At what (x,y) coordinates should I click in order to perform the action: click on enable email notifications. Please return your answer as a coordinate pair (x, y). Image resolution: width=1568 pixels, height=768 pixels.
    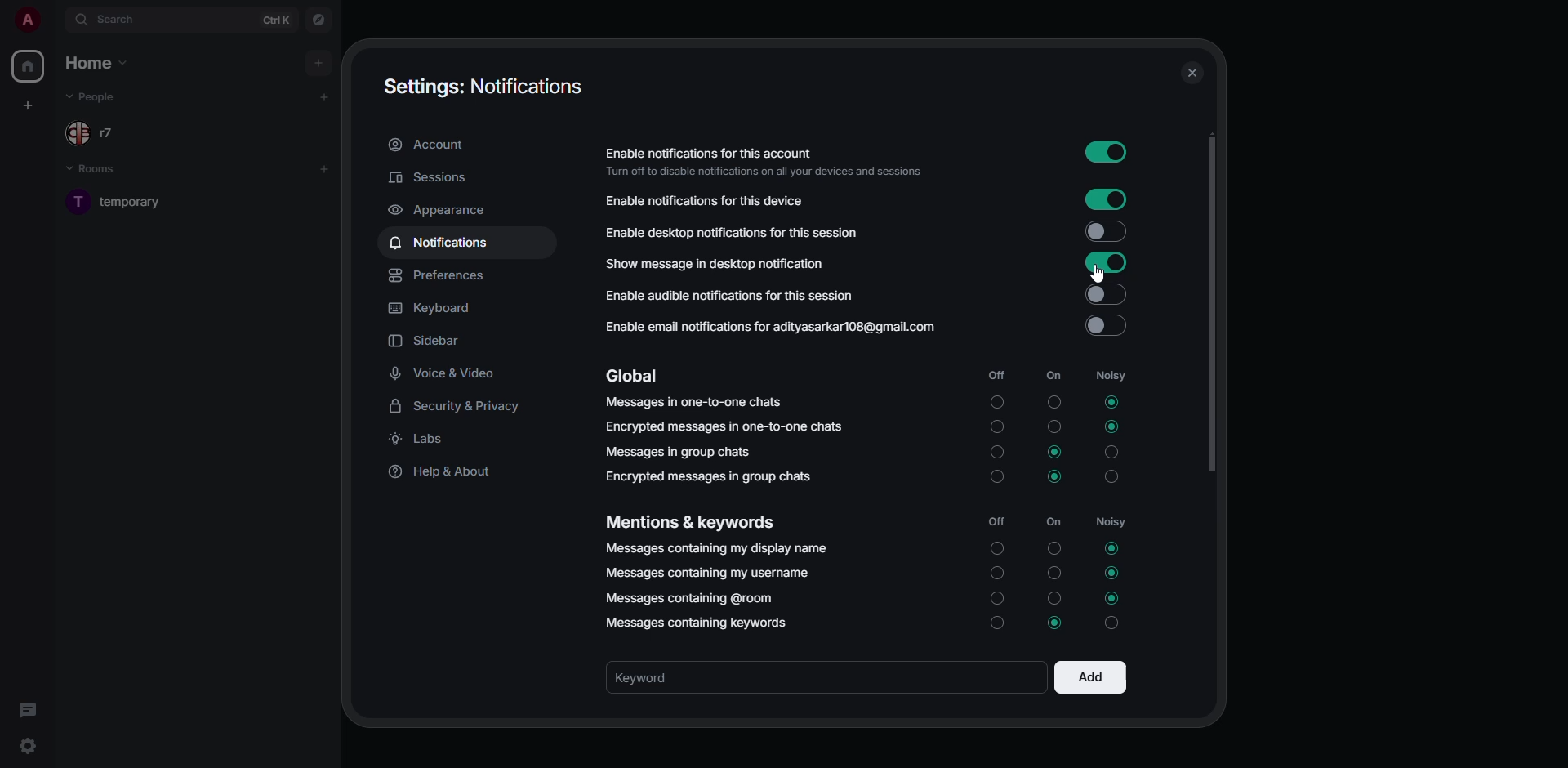
    Looking at the image, I should click on (773, 329).